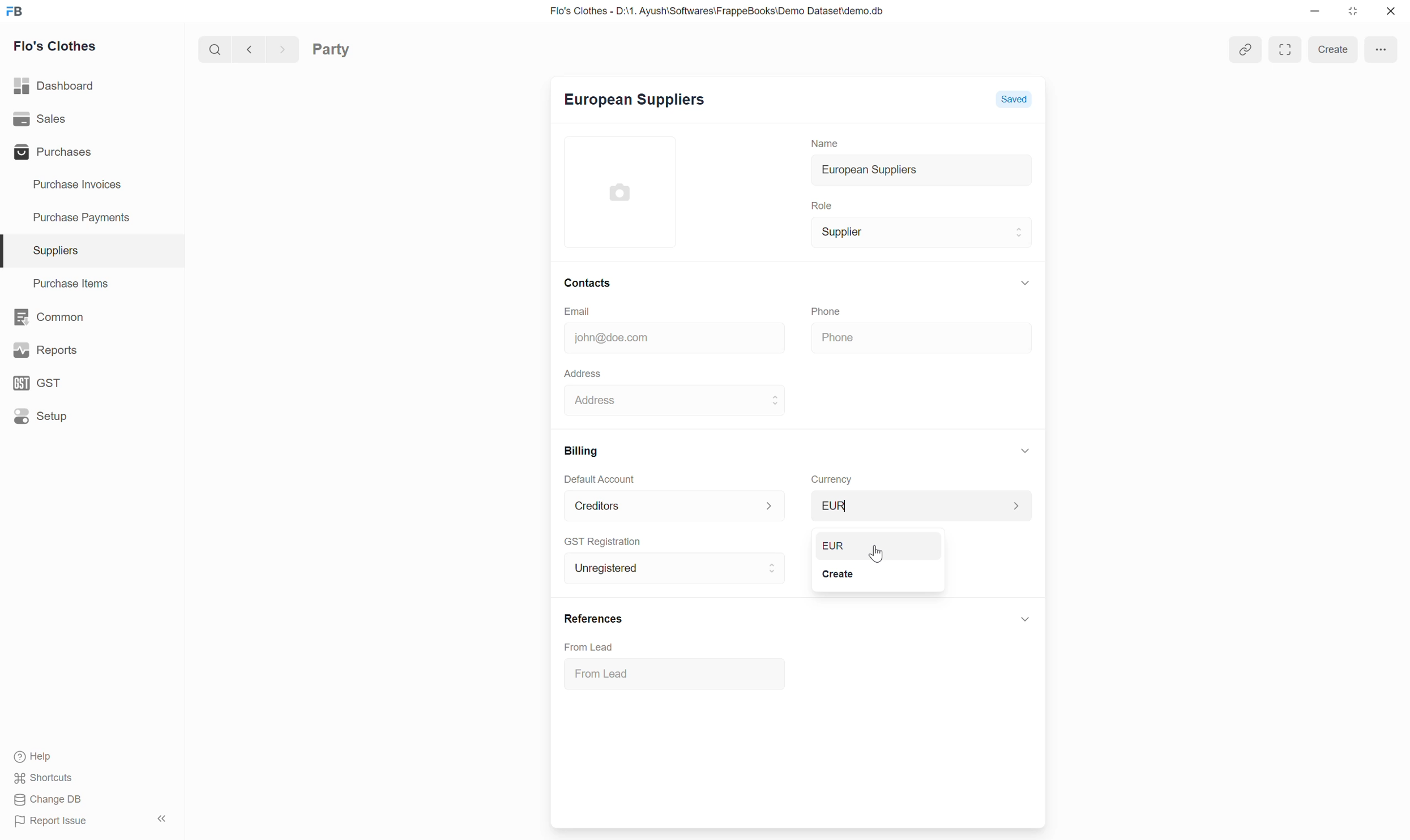  I want to click on Unregistered, so click(604, 567).